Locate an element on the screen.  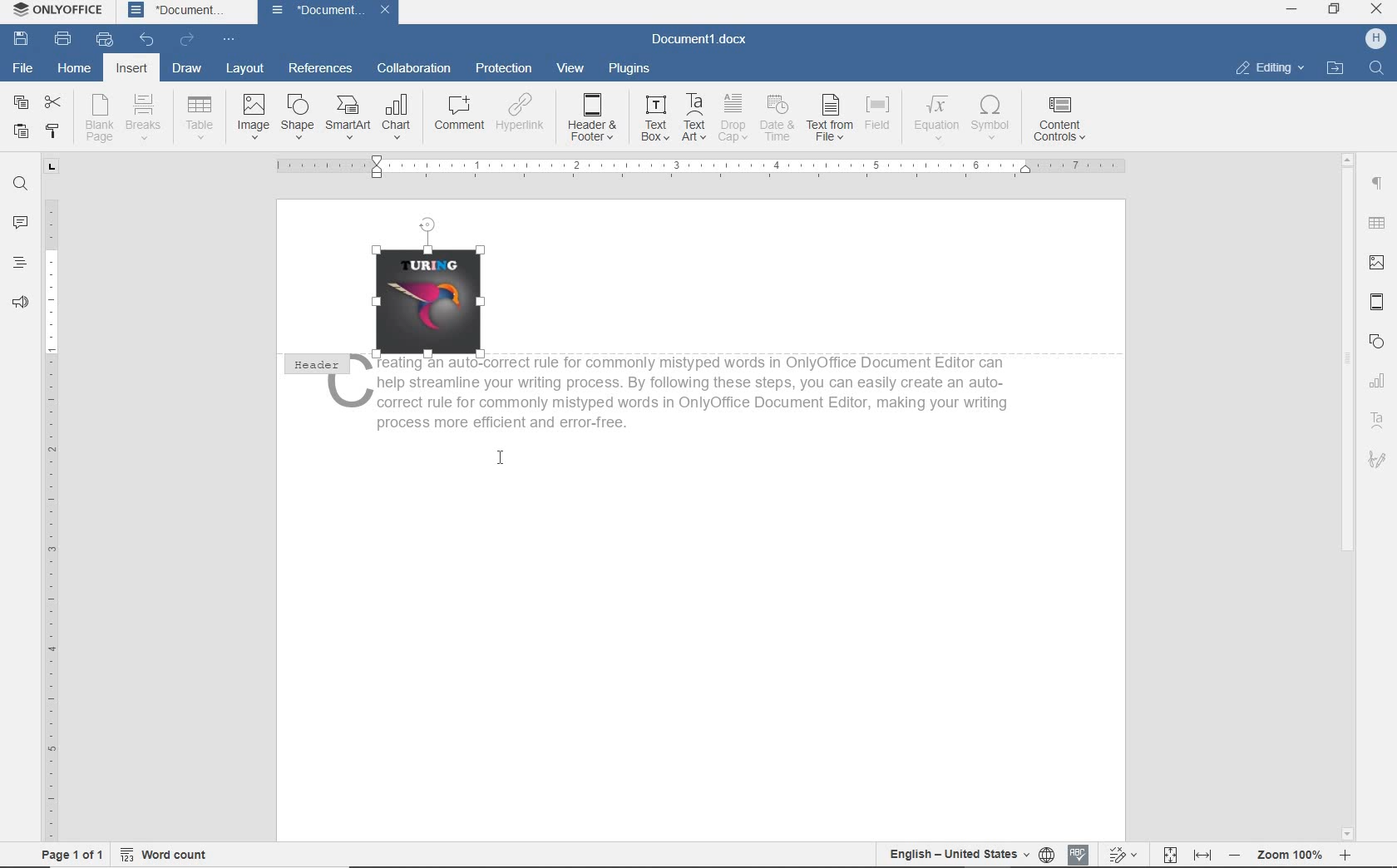
COPY is located at coordinates (22, 102).